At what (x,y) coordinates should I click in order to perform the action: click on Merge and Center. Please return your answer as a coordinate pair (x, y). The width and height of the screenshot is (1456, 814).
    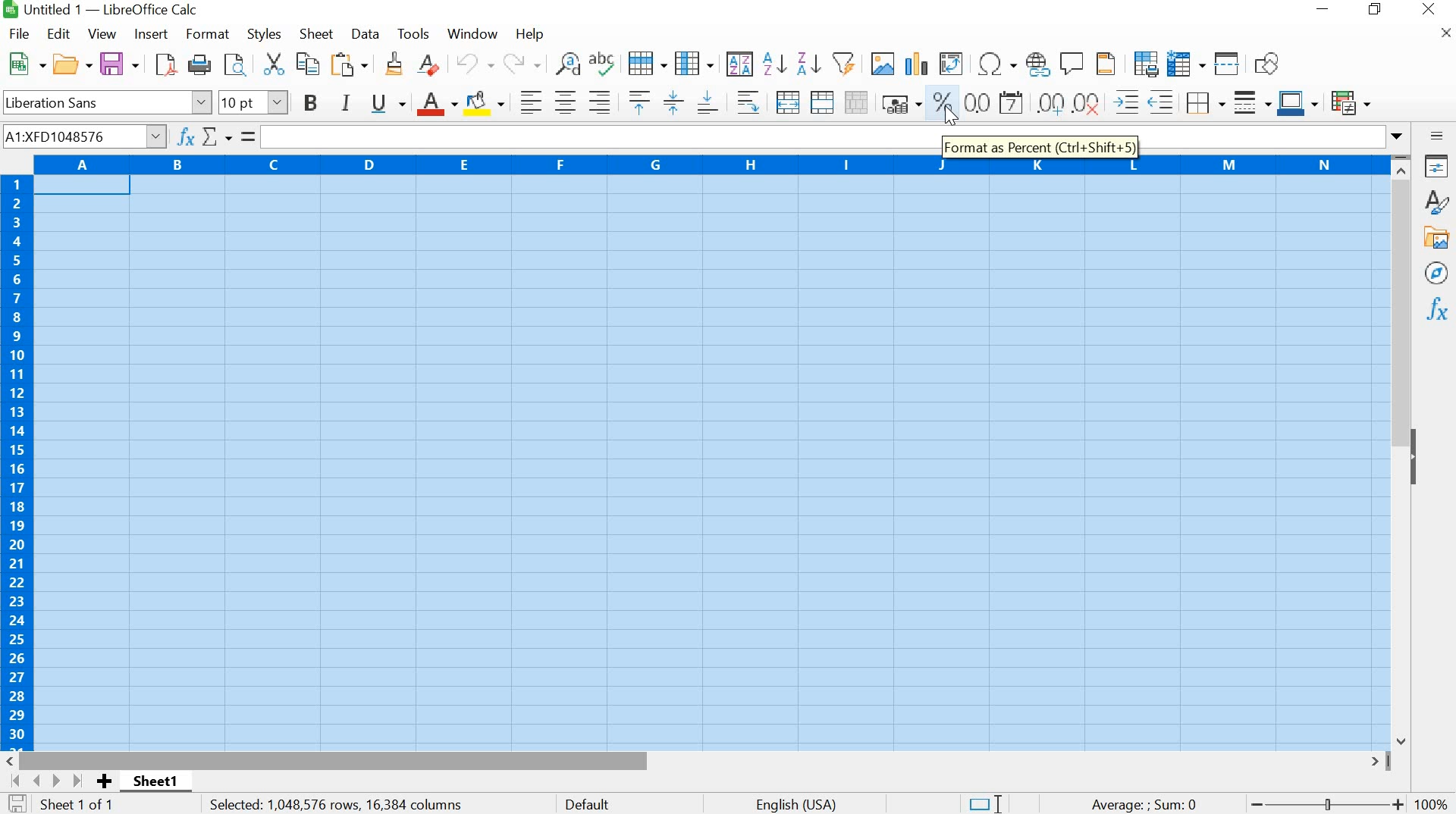
    Looking at the image, I should click on (789, 102).